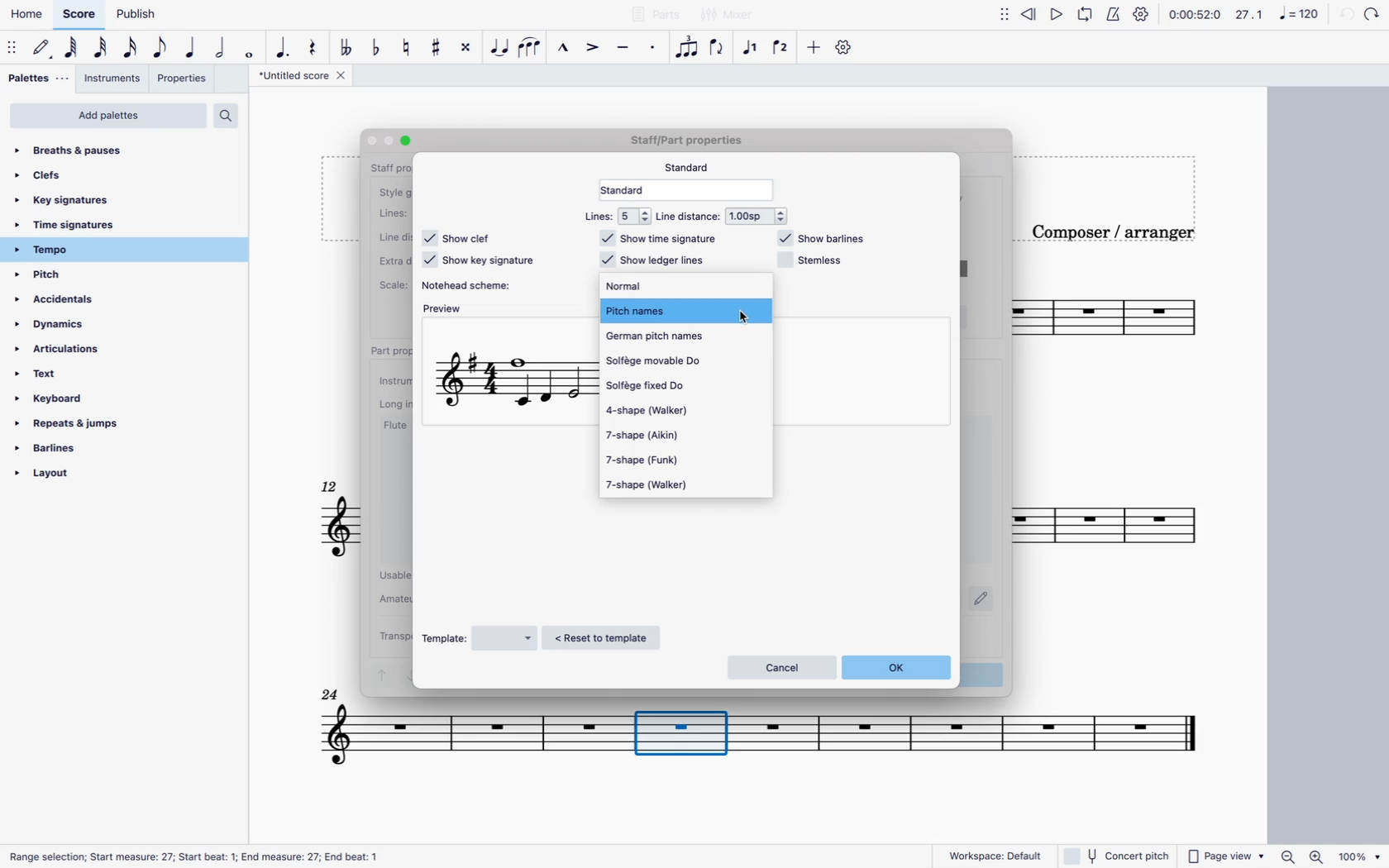  I want to click on standard, so click(692, 167).